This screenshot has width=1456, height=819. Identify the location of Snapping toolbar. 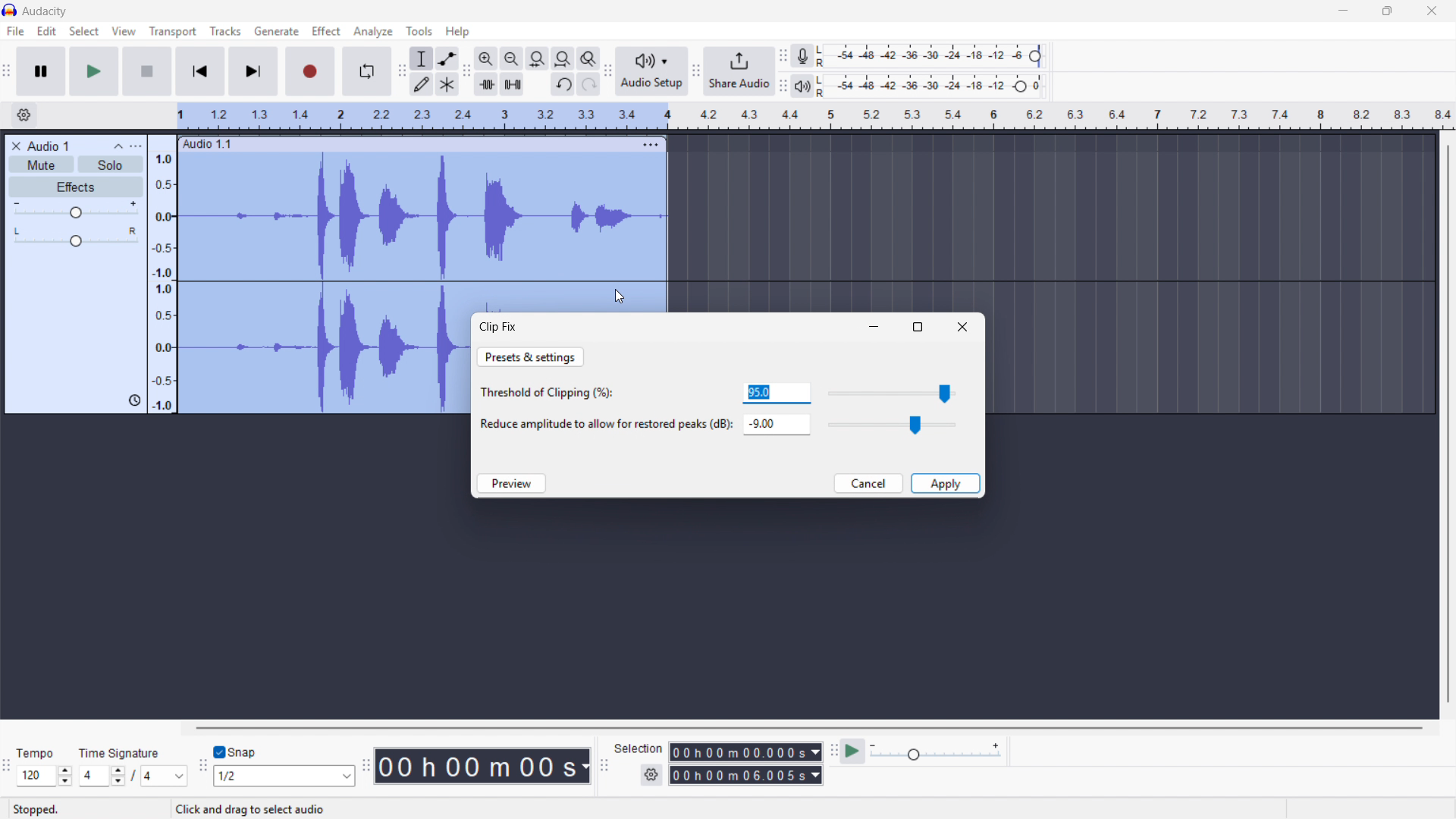
(203, 767).